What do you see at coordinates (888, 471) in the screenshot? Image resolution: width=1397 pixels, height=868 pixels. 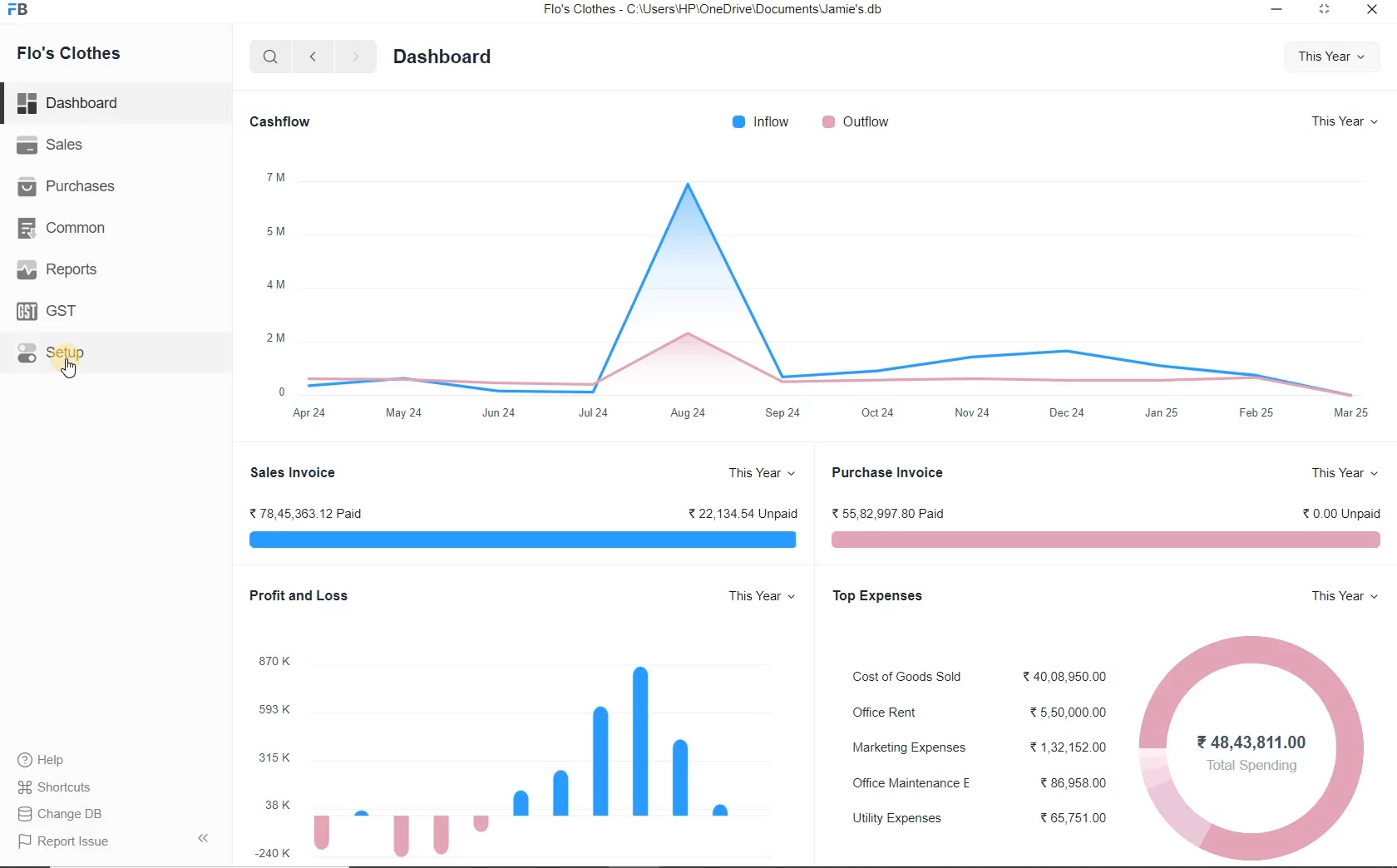 I see `Purchase Invoice` at bounding box center [888, 471].